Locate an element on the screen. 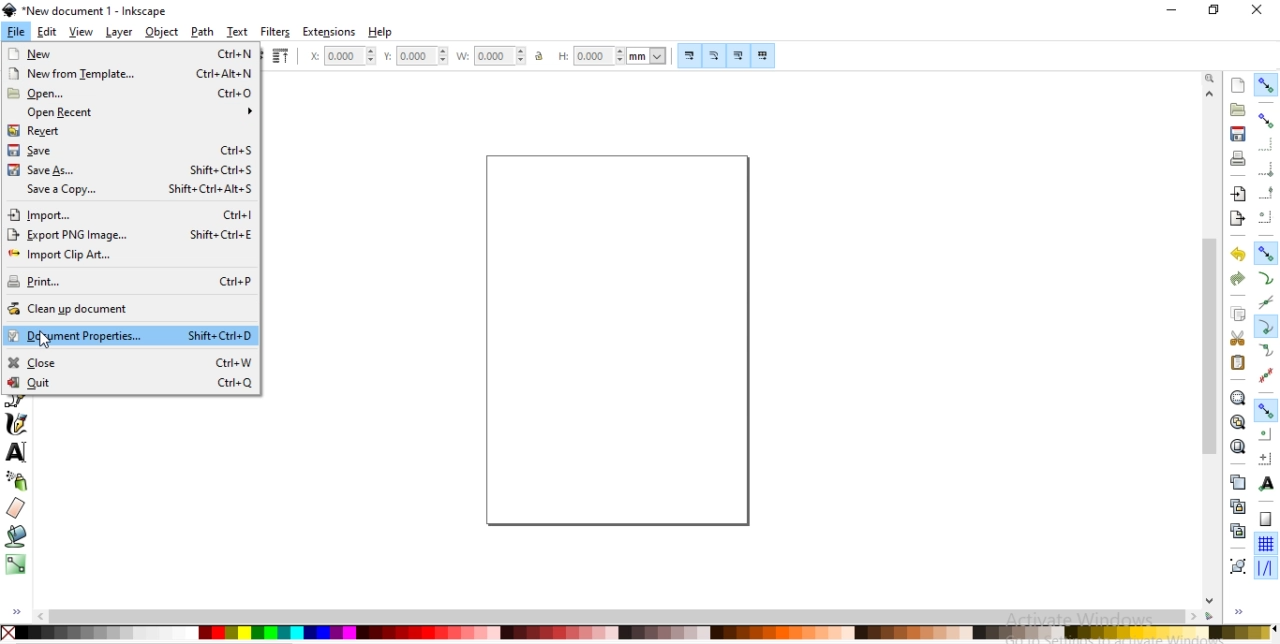  new document 1 -Inksacpe is located at coordinates (94, 12).